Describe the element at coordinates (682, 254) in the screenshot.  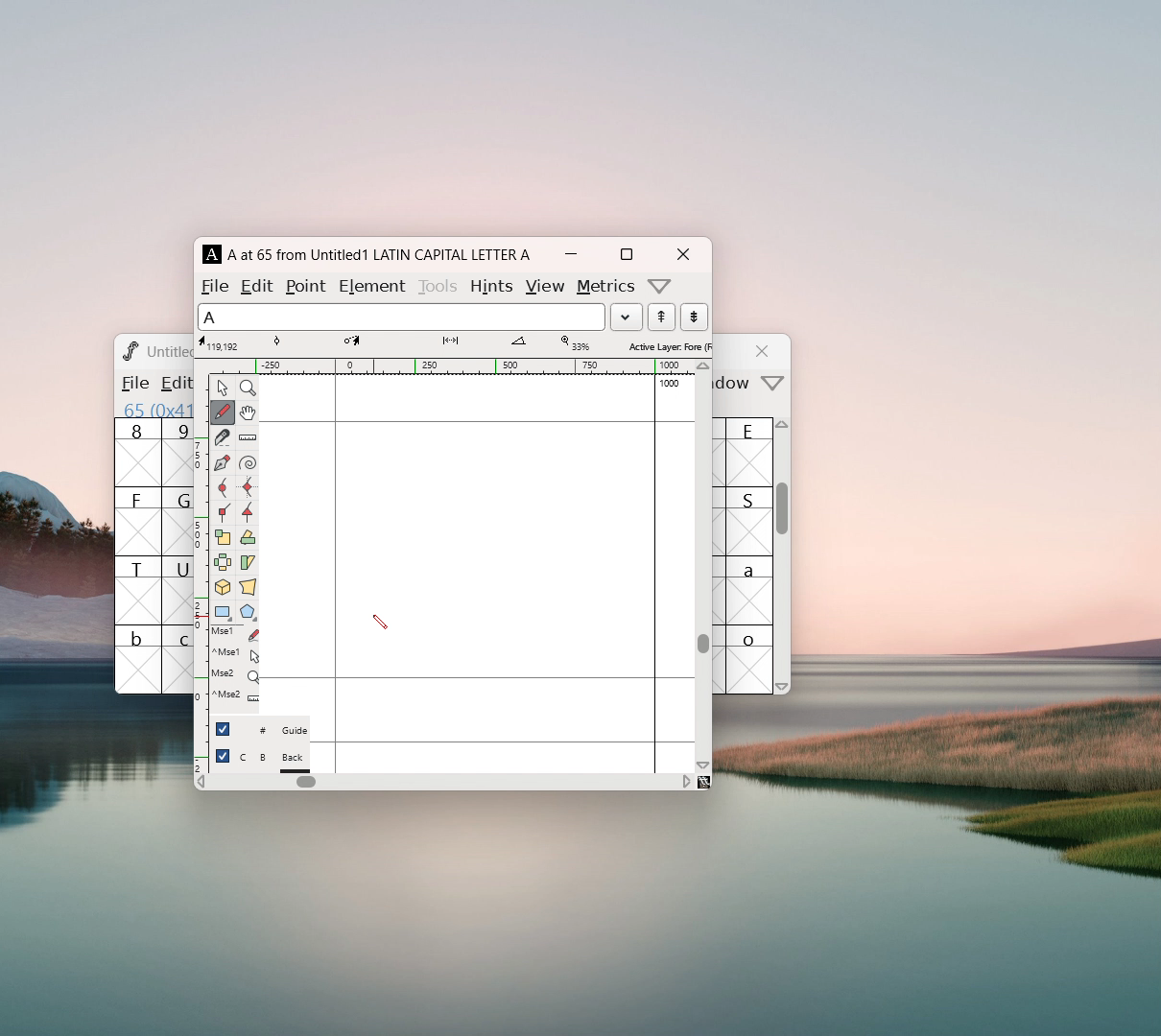
I see `close` at that location.